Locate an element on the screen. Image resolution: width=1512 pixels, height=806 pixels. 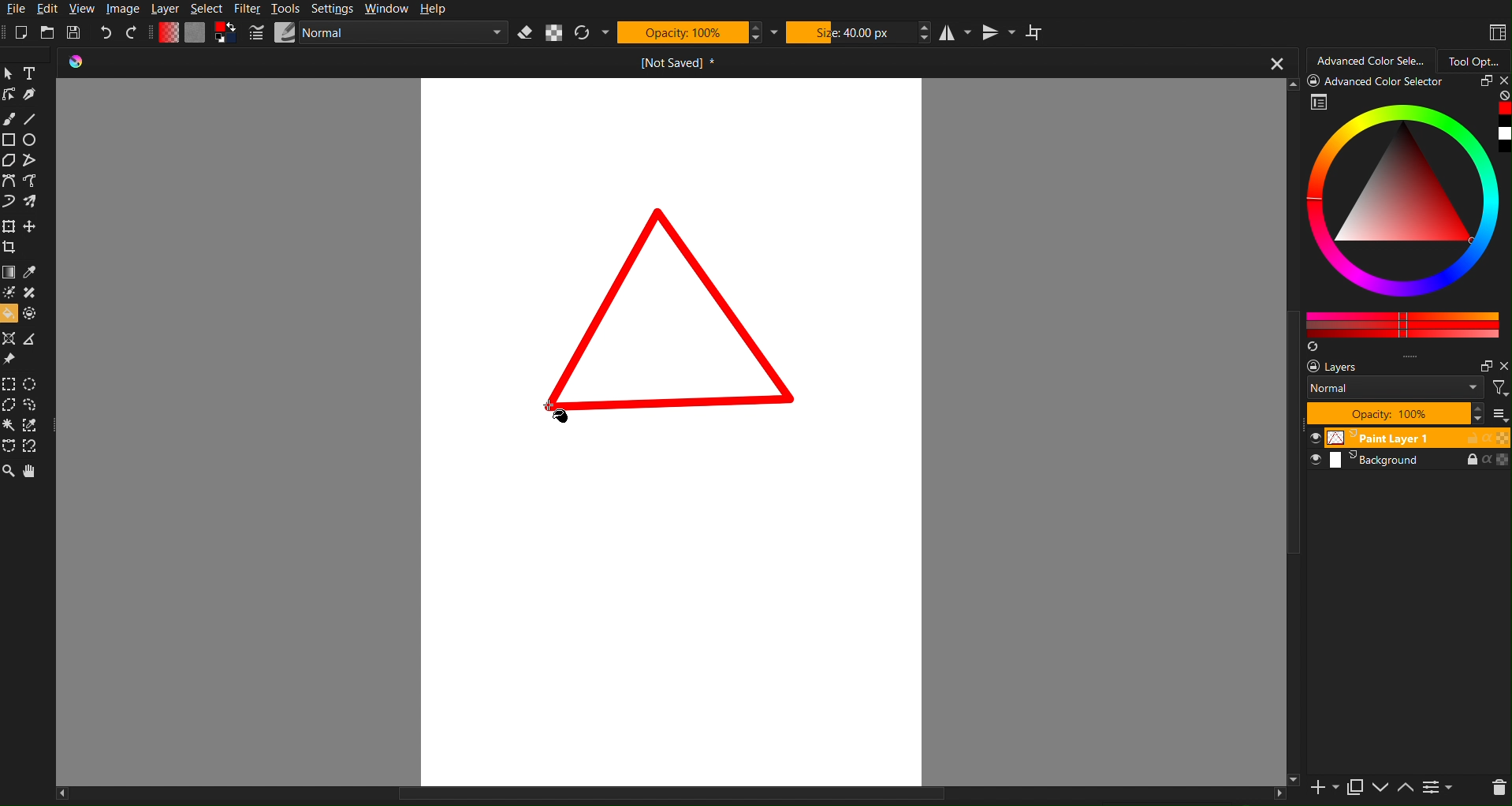
blend mode is located at coordinates (1396, 388).